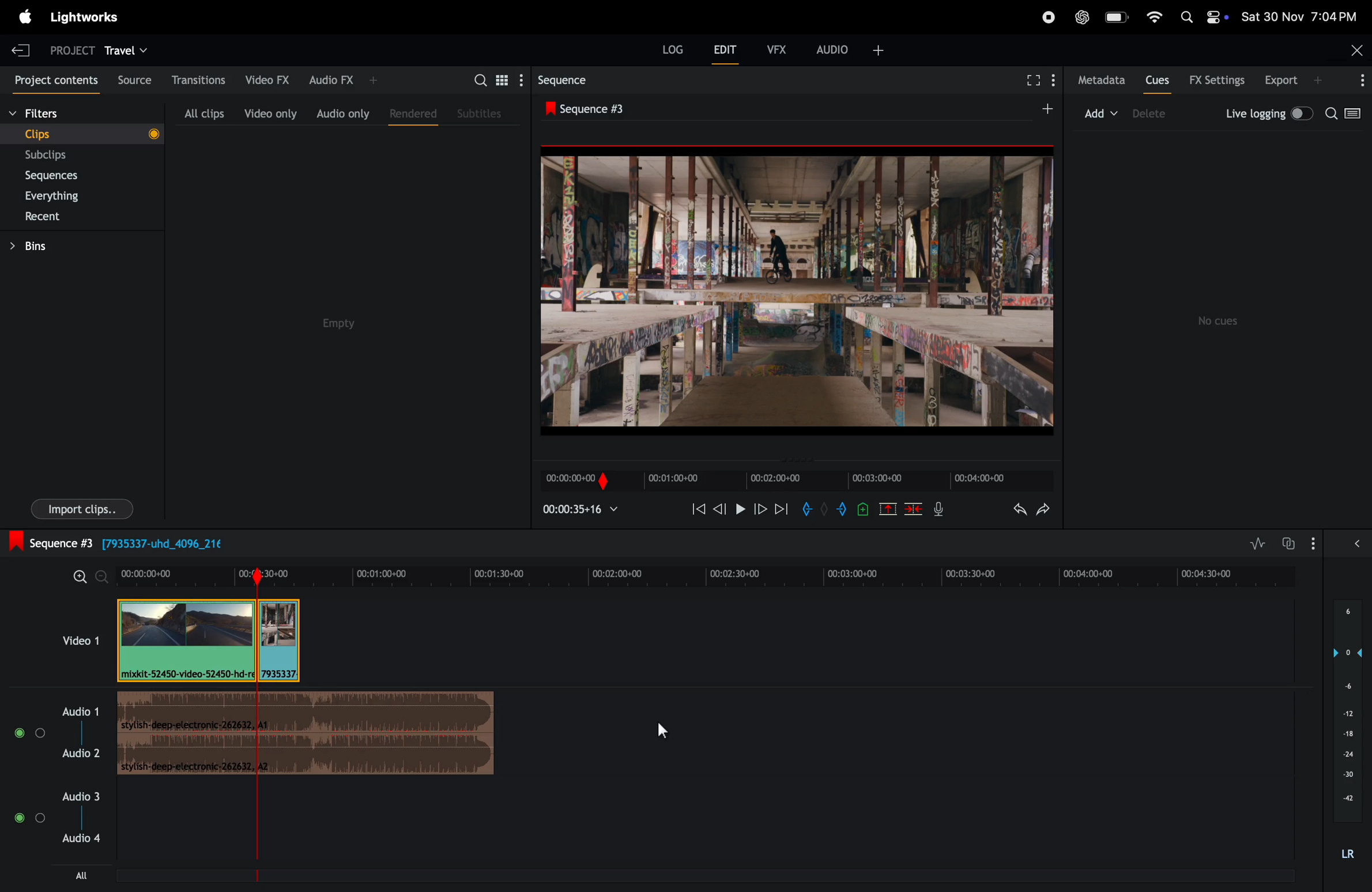 Image resolution: width=1372 pixels, height=892 pixels. Describe the element at coordinates (266, 80) in the screenshot. I see `video fx` at that location.